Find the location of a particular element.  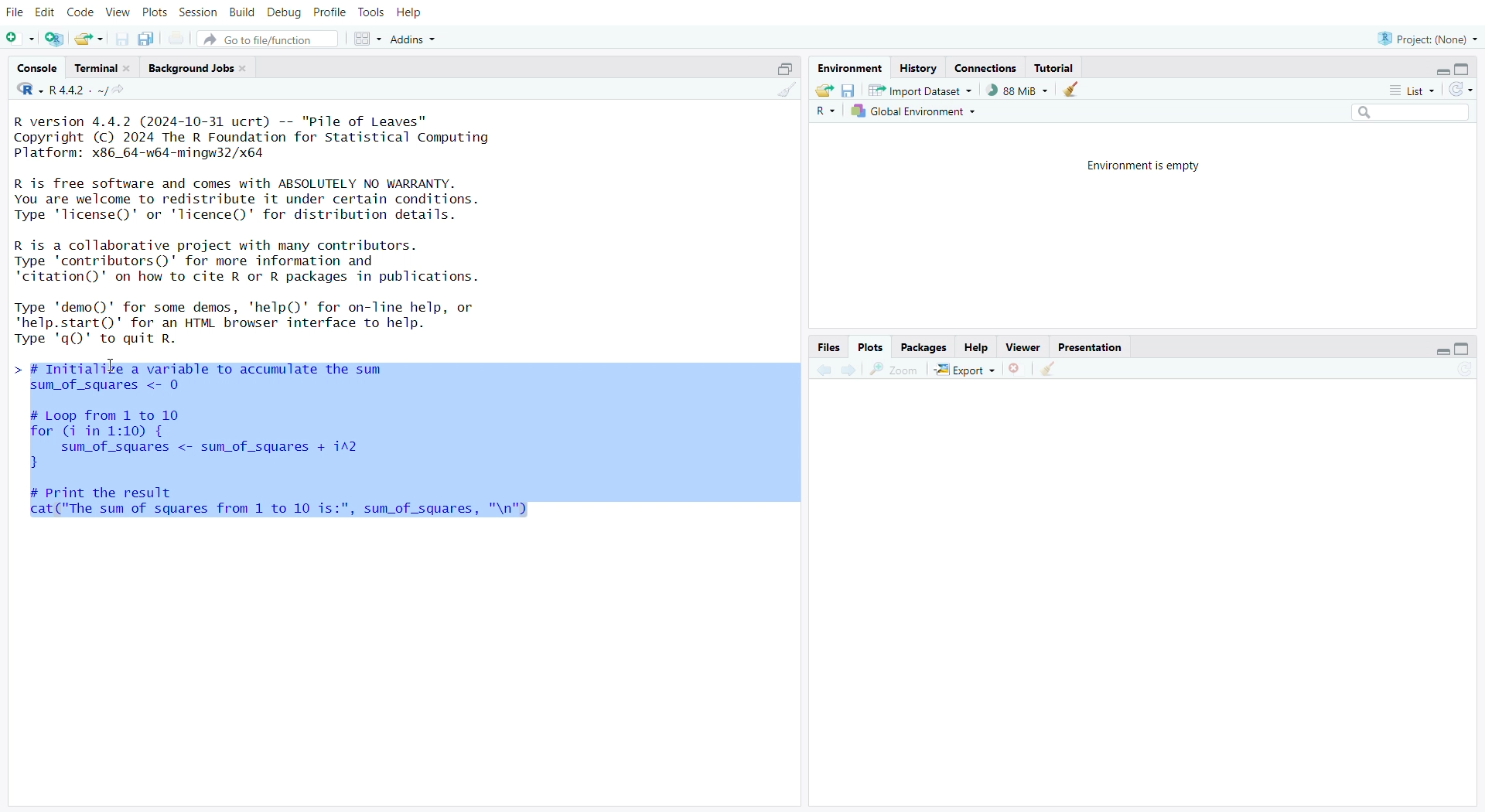

view is located at coordinates (117, 12).